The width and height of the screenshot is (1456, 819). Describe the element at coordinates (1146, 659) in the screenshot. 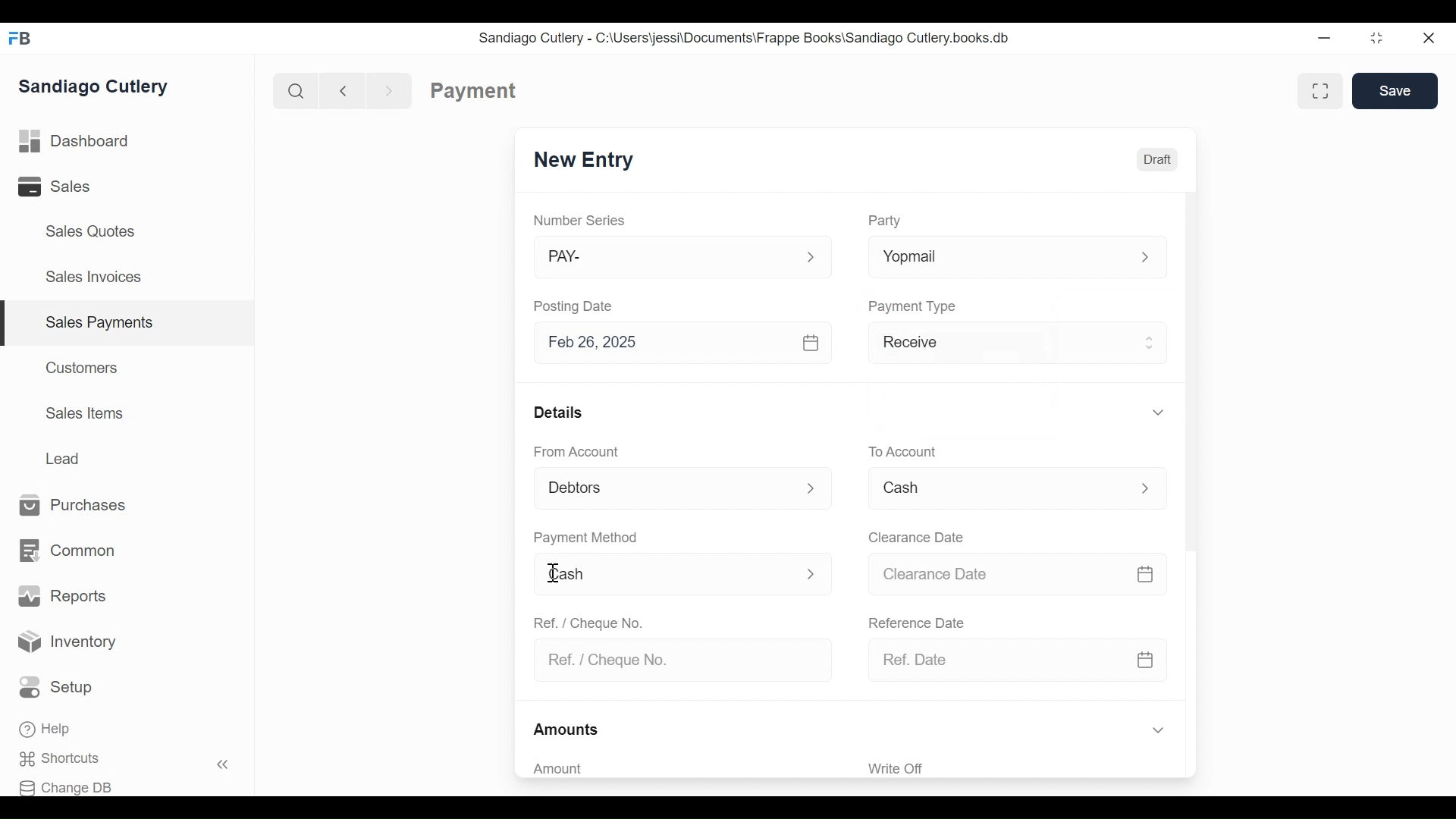

I see `Calendar` at that location.